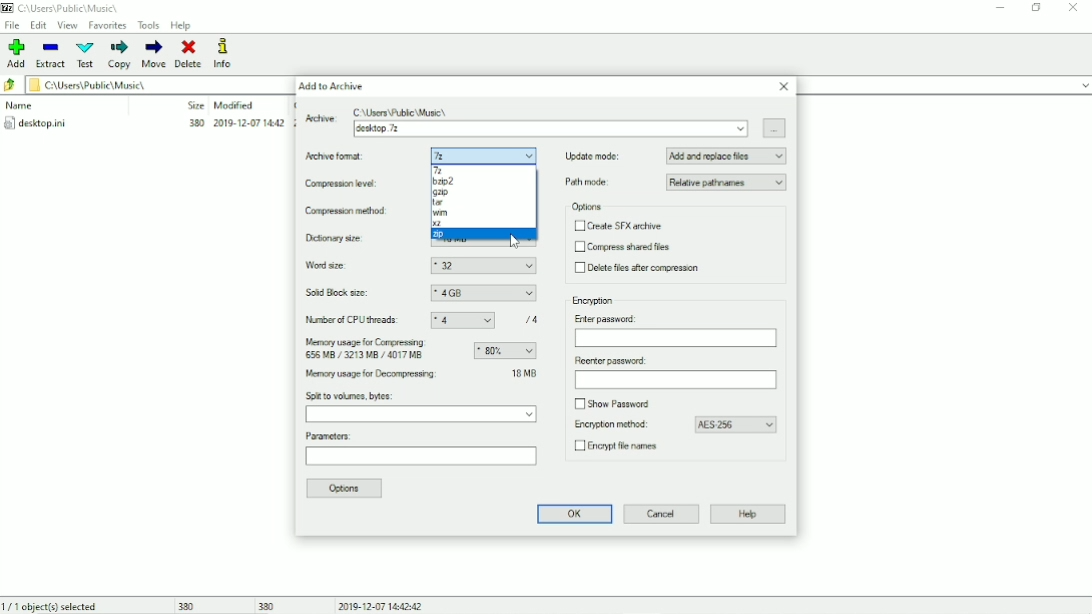 The height and width of the screenshot is (614, 1092). Describe the element at coordinates (675, 183) in the screenshot. I see `Path mode` at that location.